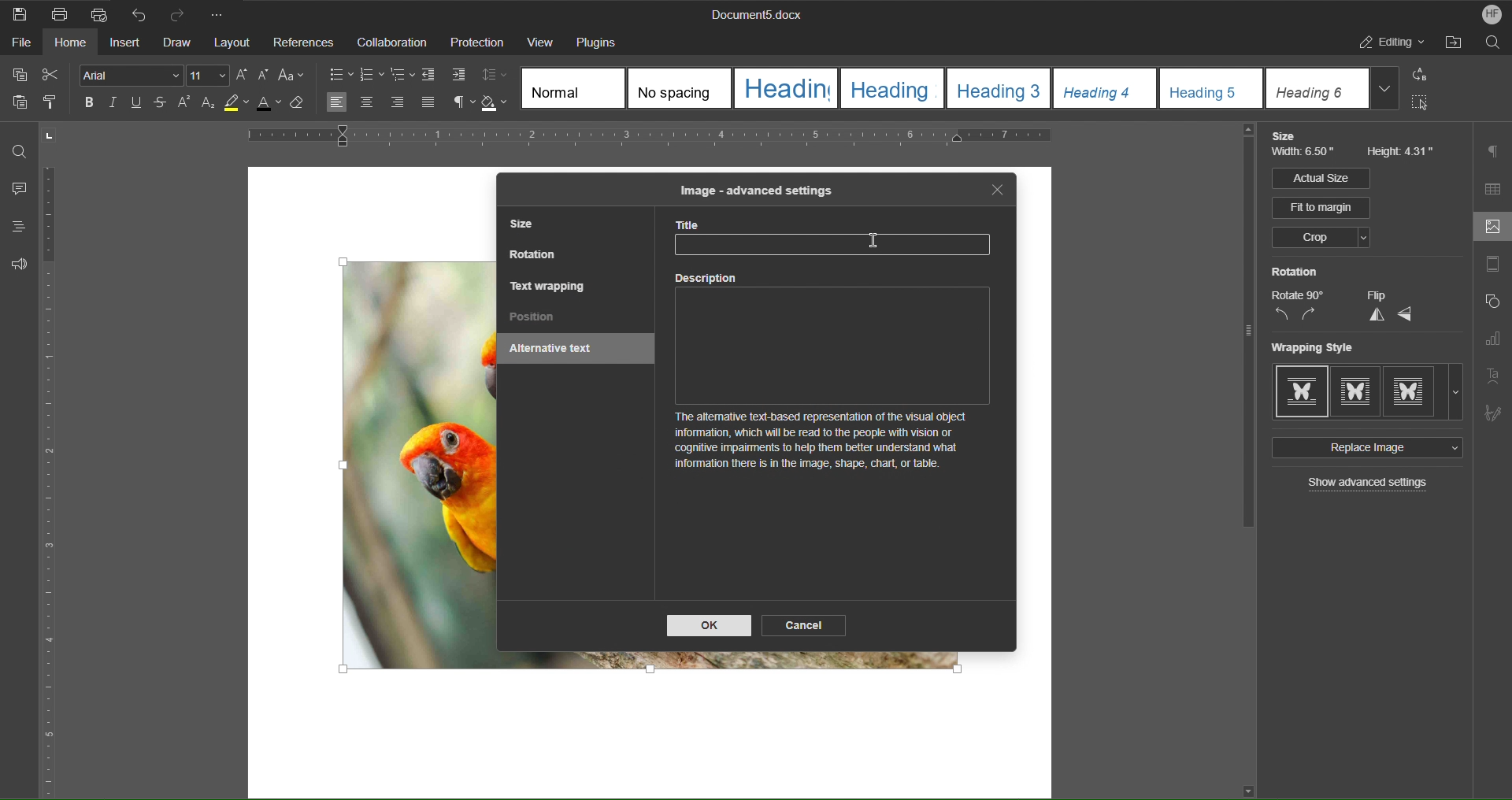 The width and height of the screenshot is (1512, 800). Describe the element at coordinates (18, 75) in the screenshot. I see `Copy` at that location.